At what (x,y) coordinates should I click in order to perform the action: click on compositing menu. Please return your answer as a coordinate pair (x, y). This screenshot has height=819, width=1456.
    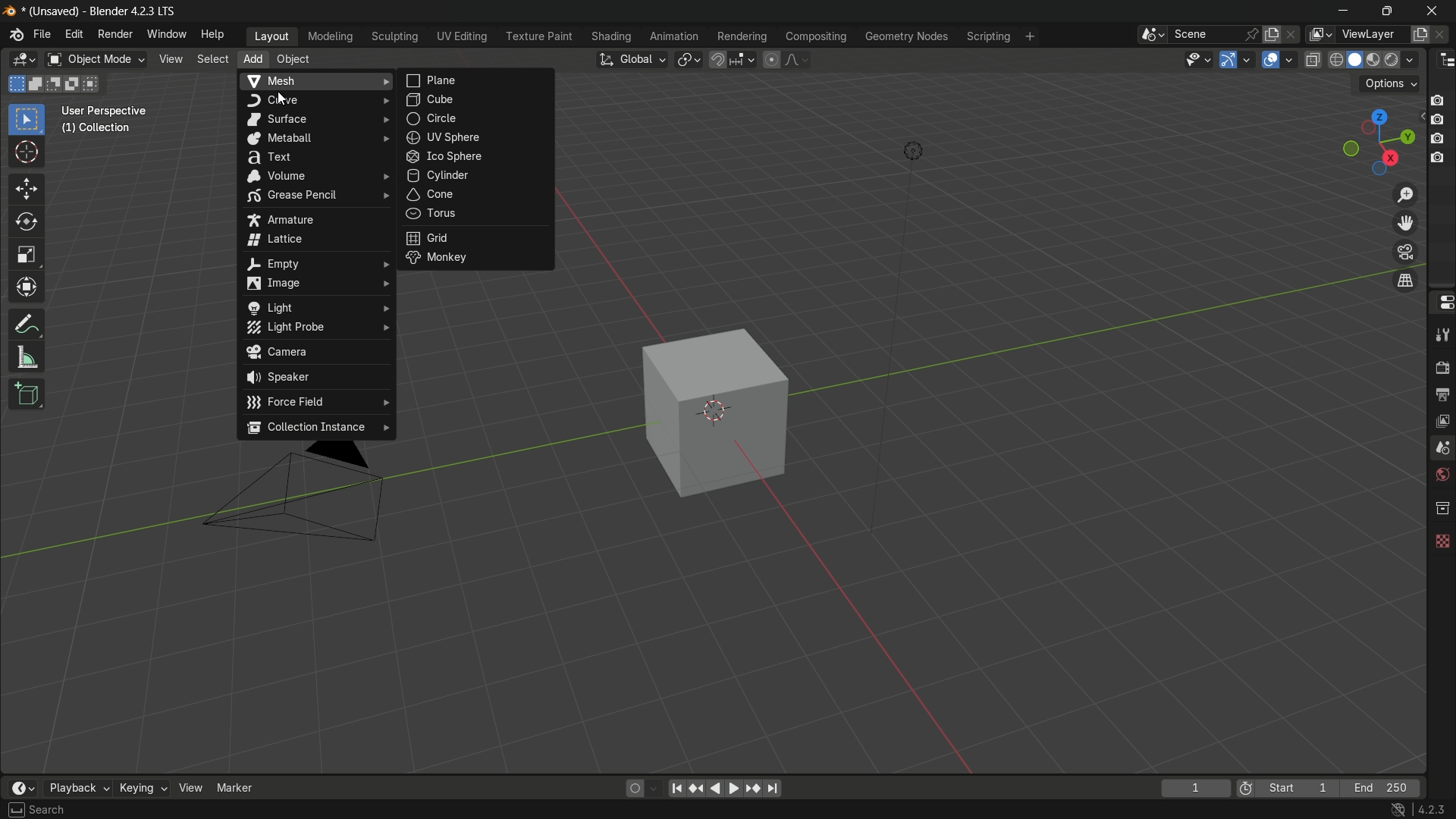
    Looking at the image, I should click on (817, 36).